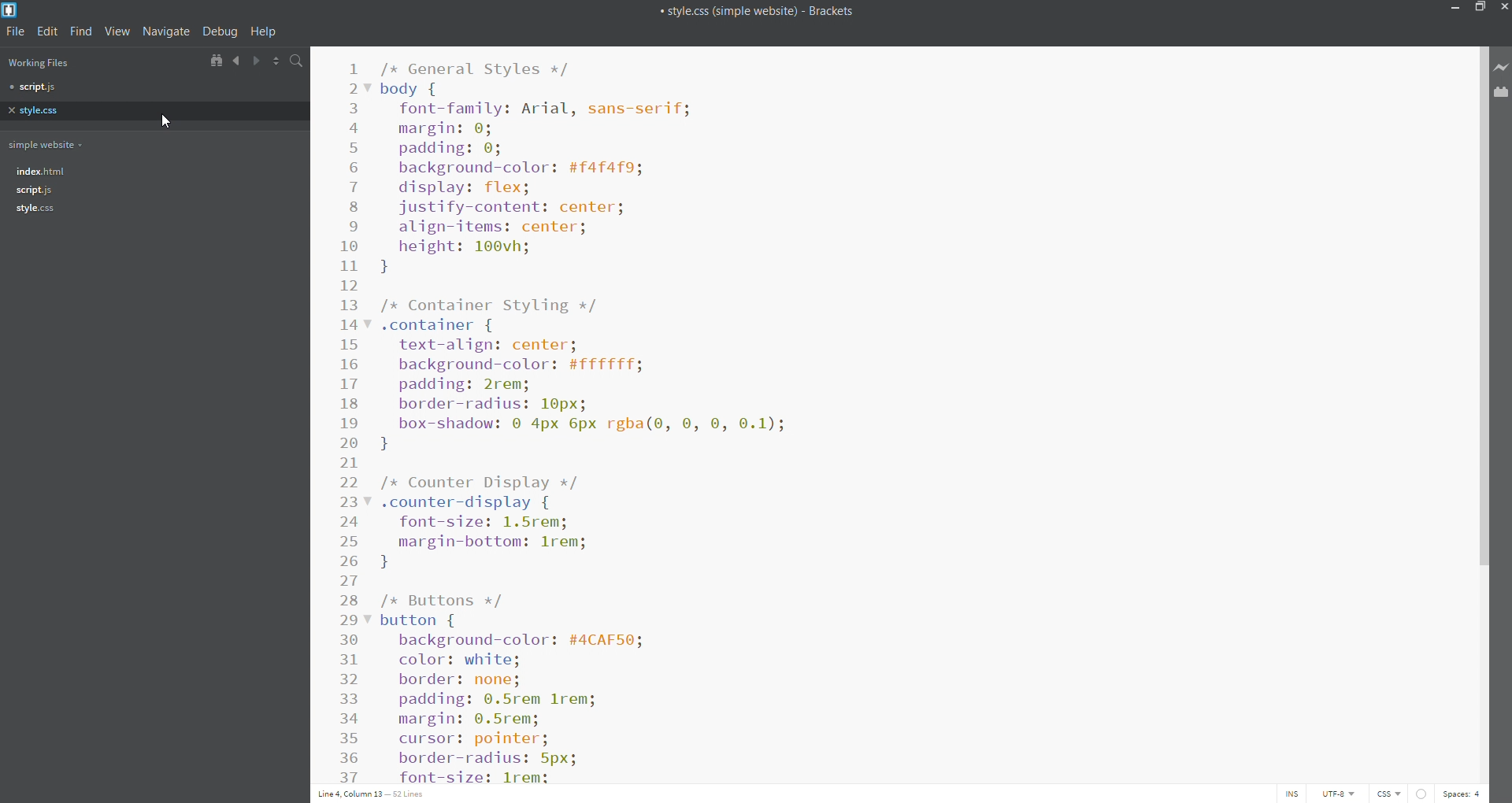 The width and height of the screenshot is (1512, 803). Describe the element at coordinates (235, 61) in the screenshot. I see `navigate backward` at that location.